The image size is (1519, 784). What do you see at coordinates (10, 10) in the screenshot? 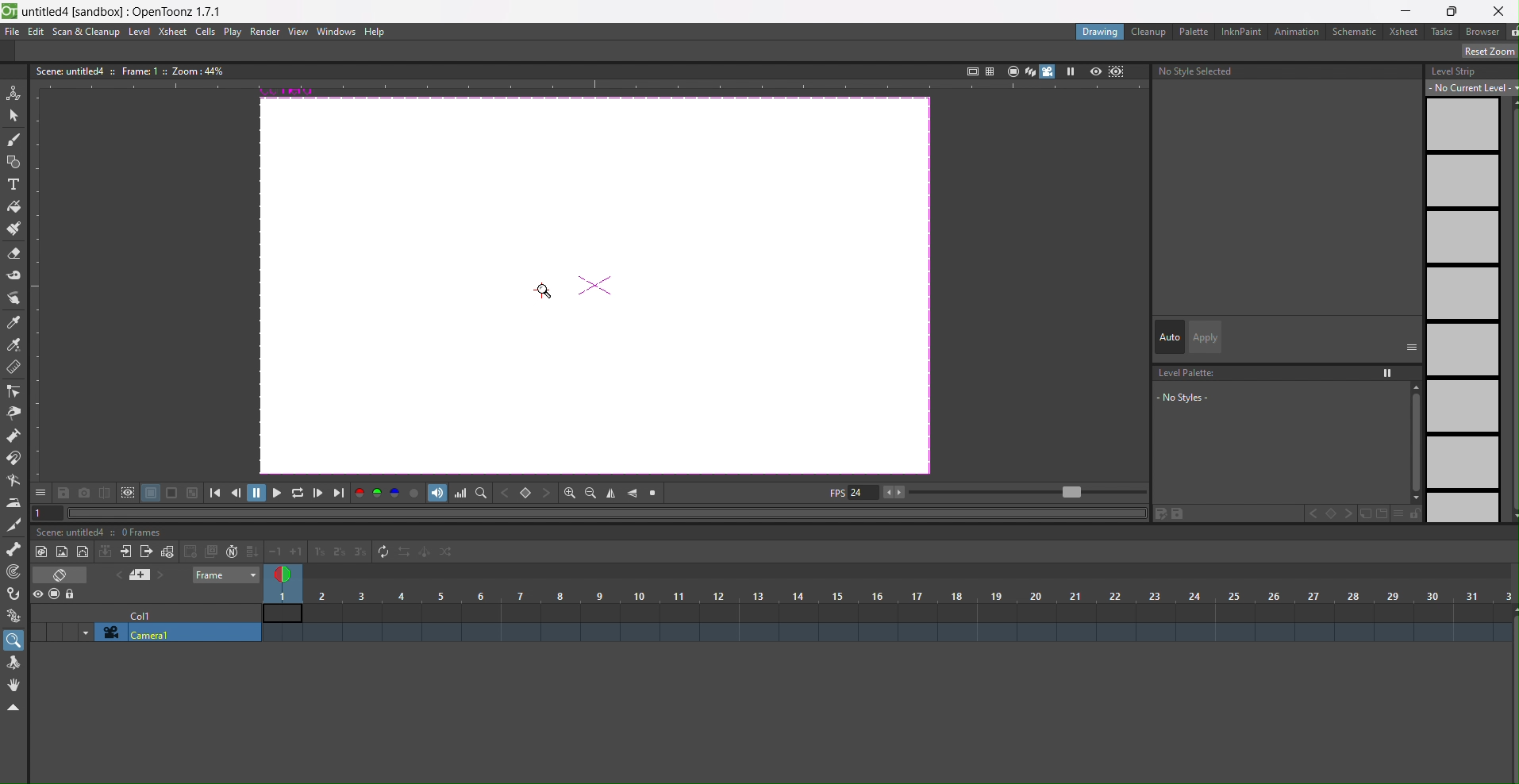
I see `logo` at bounding box center [10, 10].